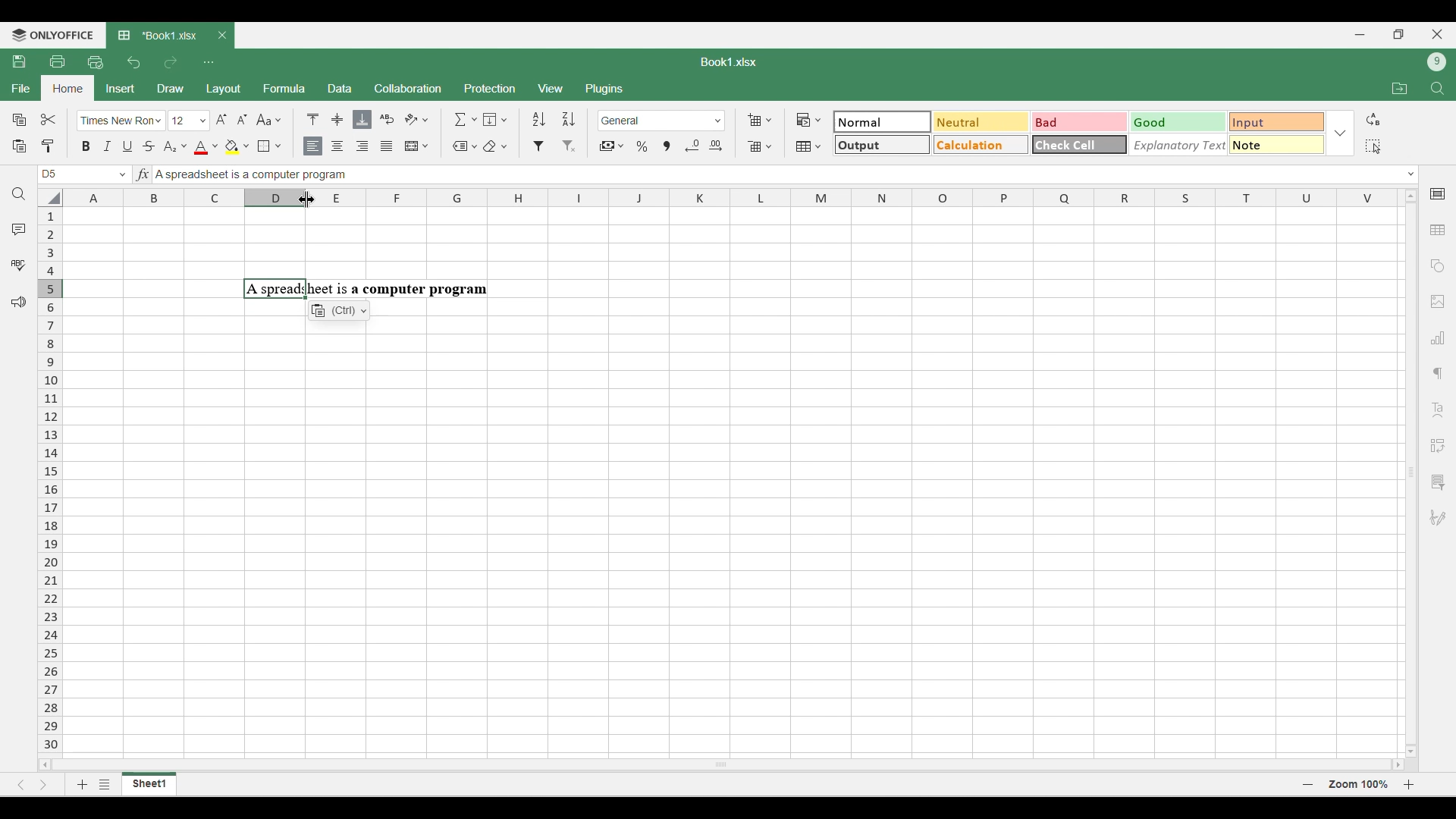  What do you see at coordinates (1373, 146) in the screenshot?
I see `Select all` at bounding box center [1373, 146].